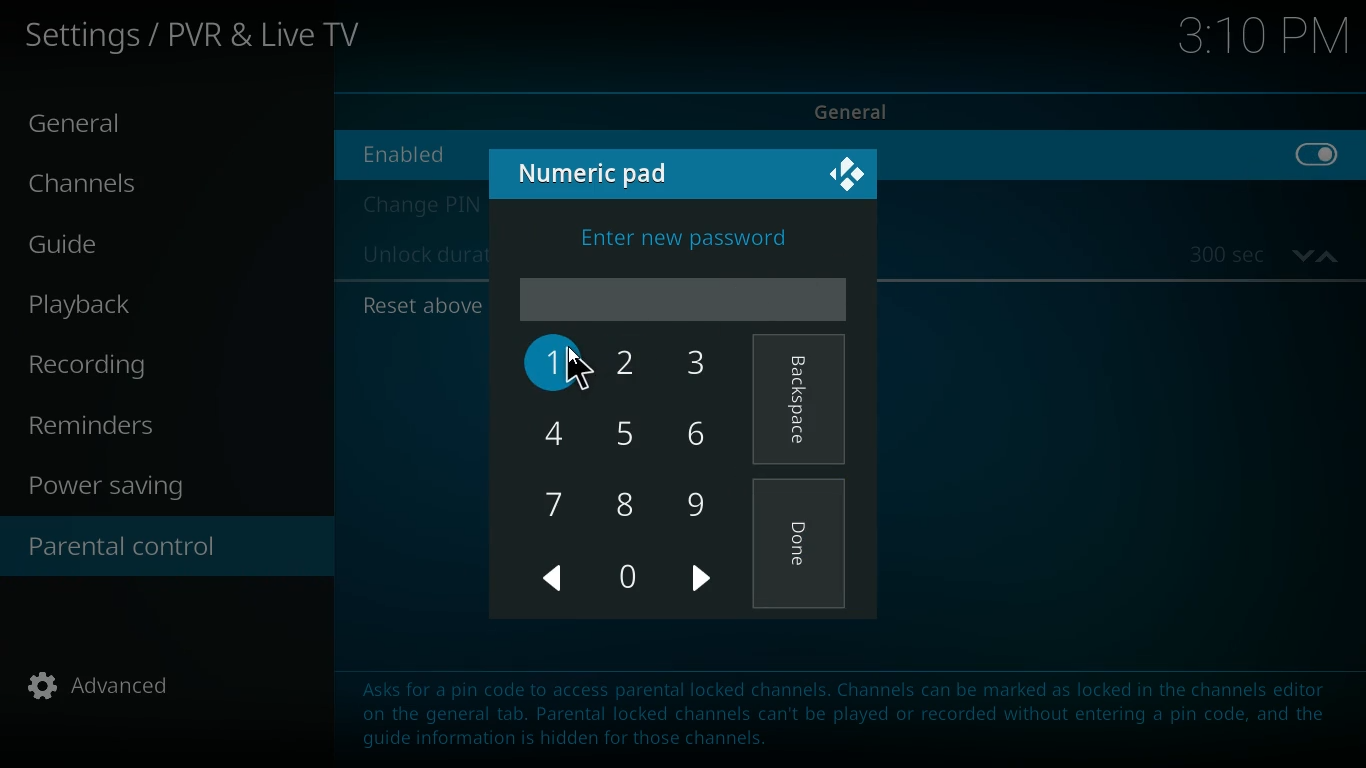 This screenshot has height=768, width=1366. What do you see at coordinates (632, 365) in the screenshot?
I see `2` at bounding box center [632, 365].